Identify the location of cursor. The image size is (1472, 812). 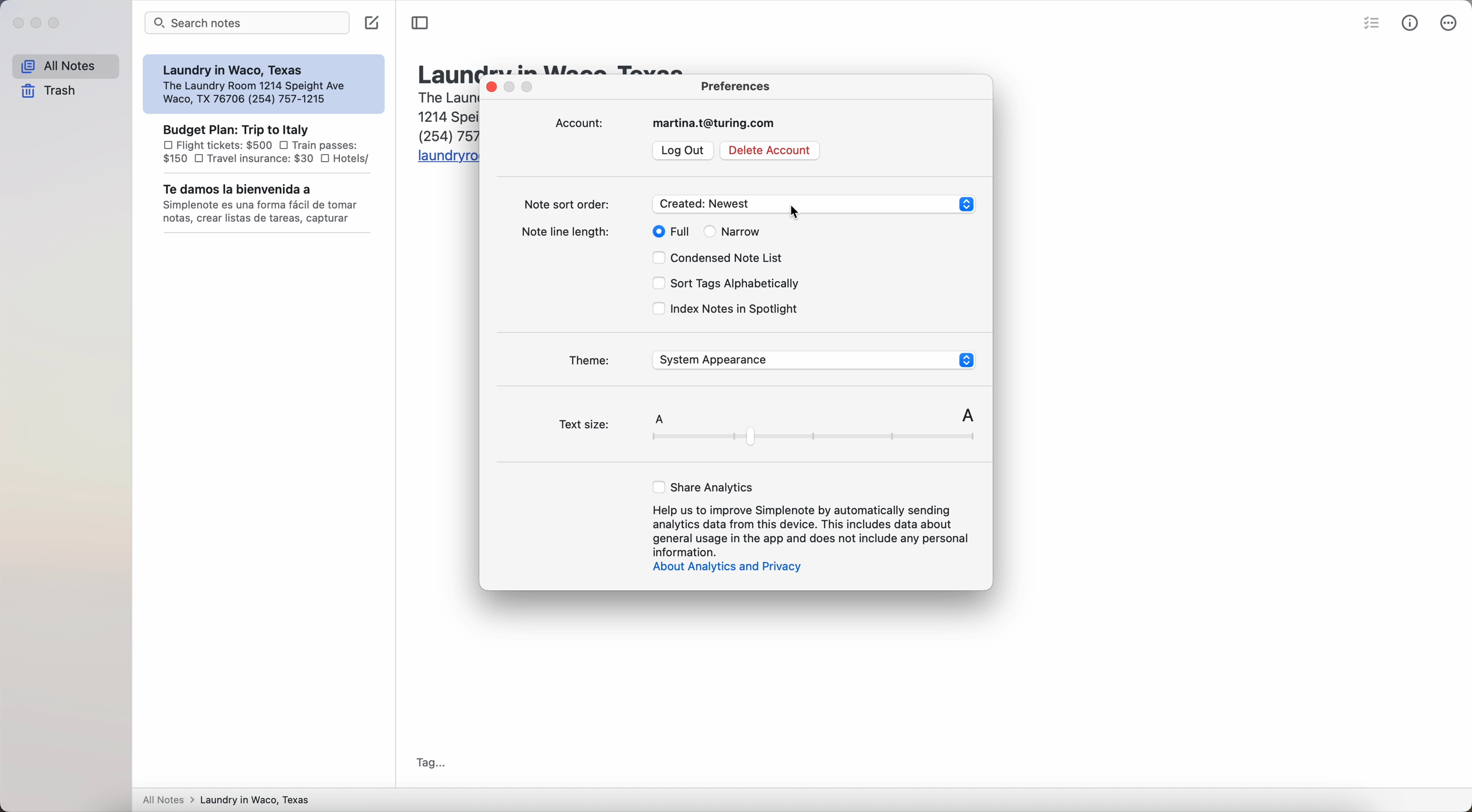
(798, 214).